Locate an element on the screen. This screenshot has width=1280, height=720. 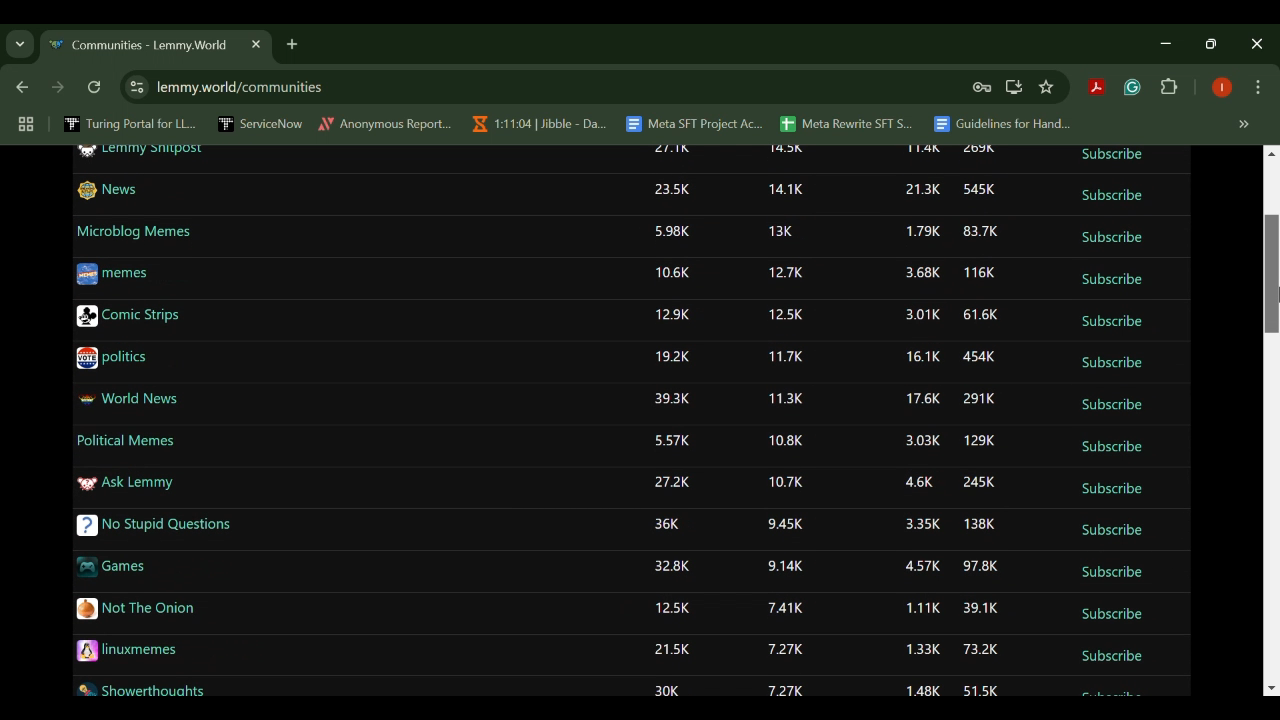
3.03K is located at coordinates (921, 443).